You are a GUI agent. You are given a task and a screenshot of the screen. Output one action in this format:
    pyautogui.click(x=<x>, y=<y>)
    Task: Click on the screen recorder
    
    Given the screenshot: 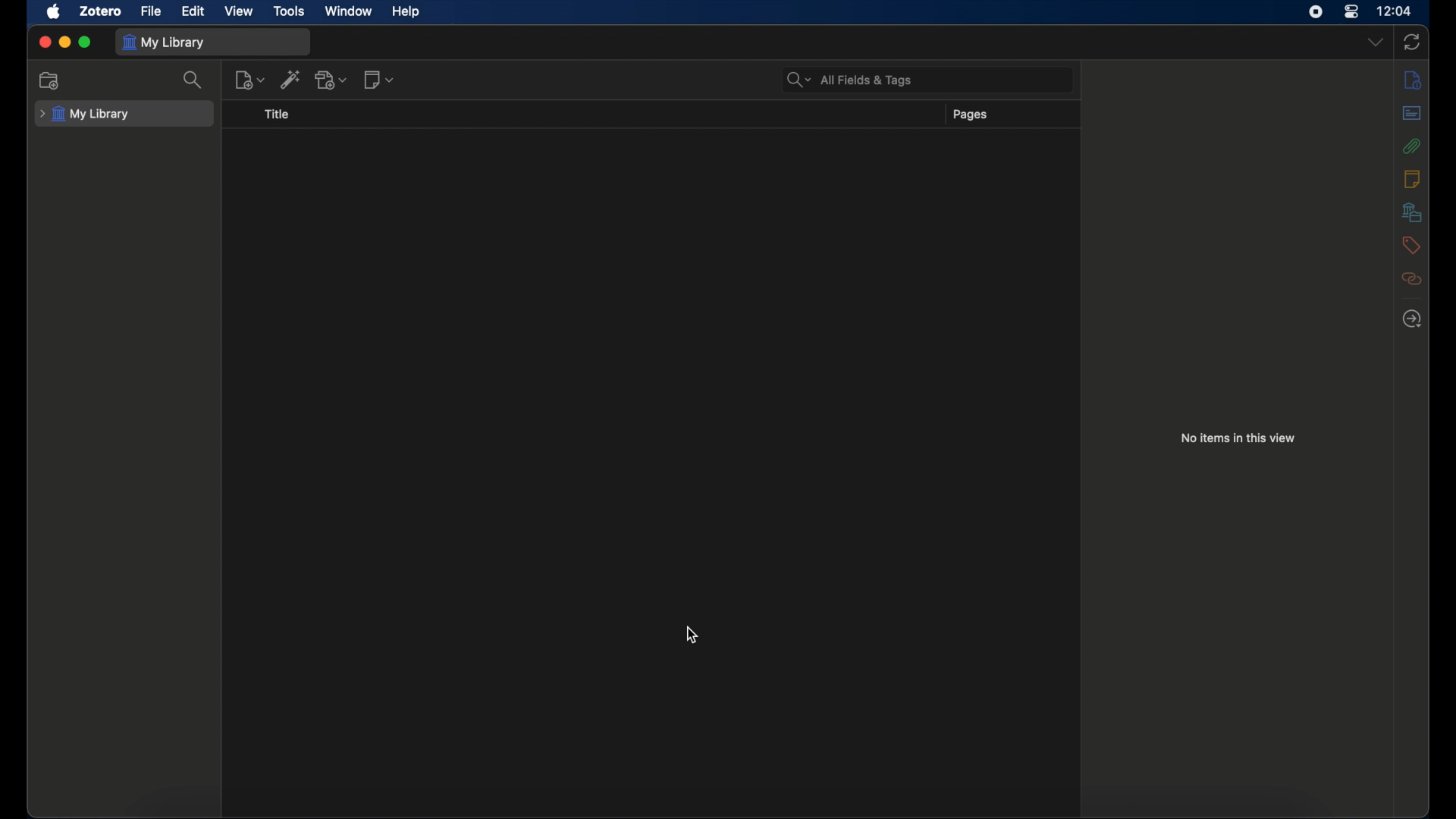 What is the action you would take?
    pyautogui.click(x=1316, y=12)
    